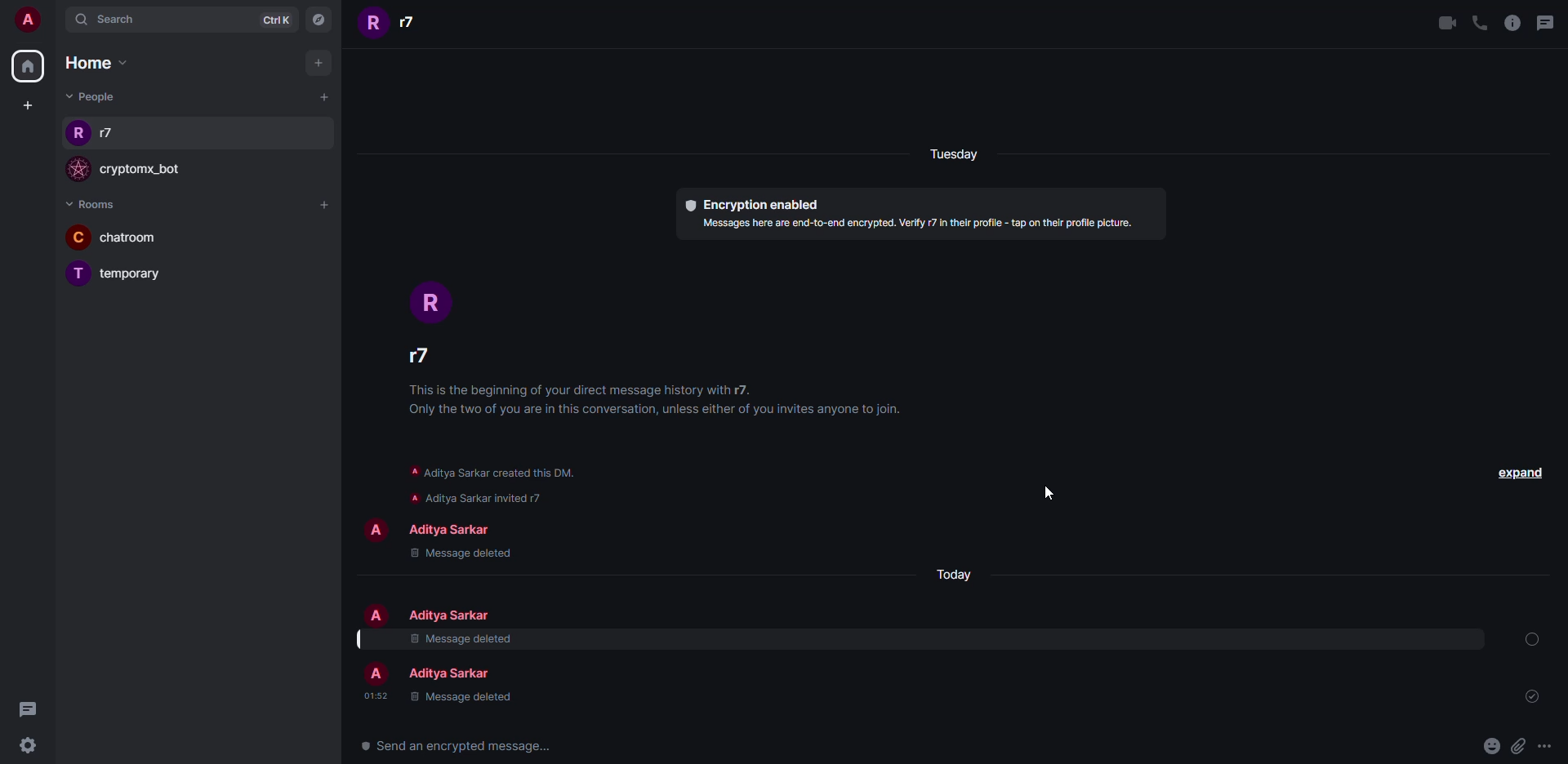  I want to click on profile, so click(375, 675).